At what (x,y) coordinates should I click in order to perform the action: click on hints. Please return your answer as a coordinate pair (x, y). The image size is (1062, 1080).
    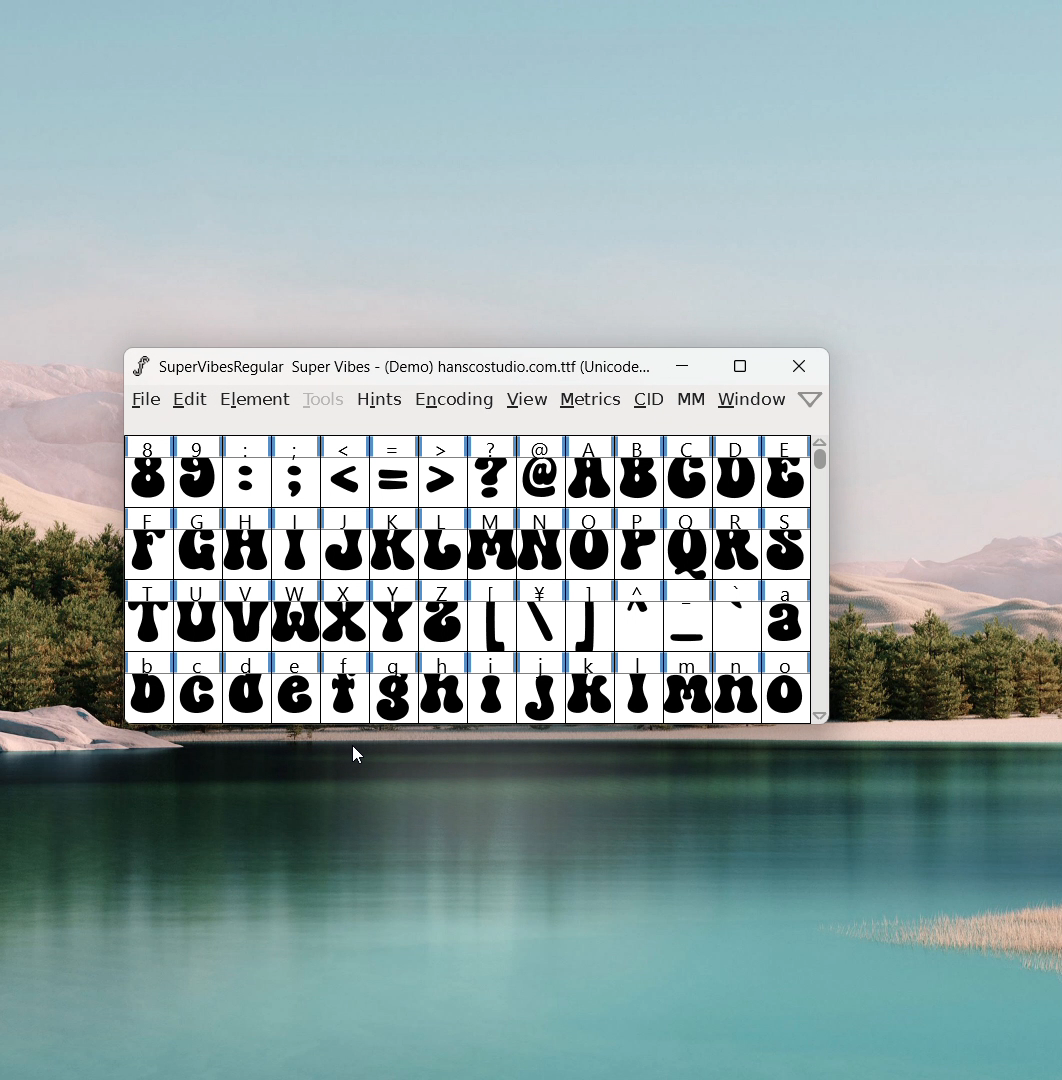
    Looking at the image, I should click on (381, 400).